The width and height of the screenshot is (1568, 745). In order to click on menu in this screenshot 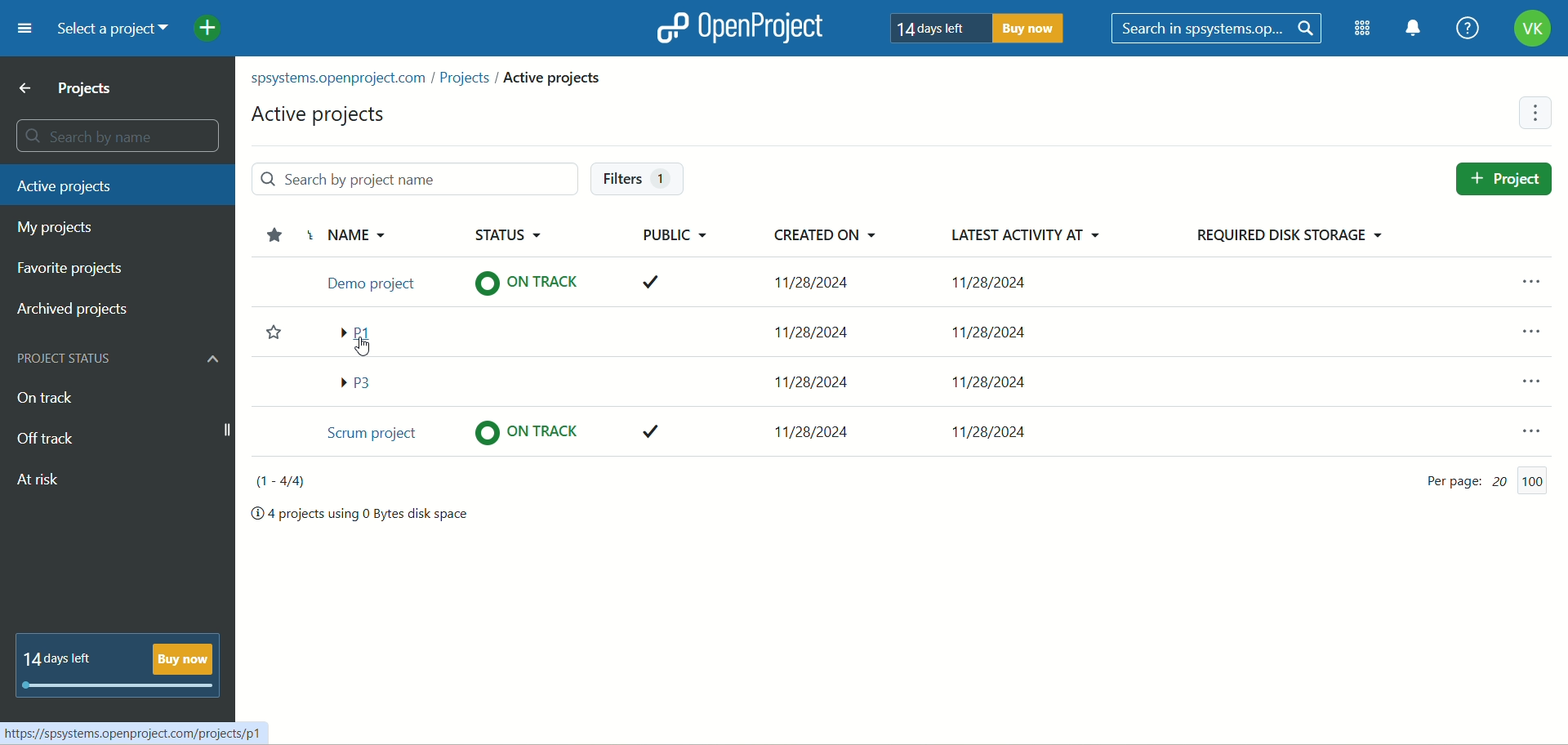, I will do `click(1535, 376)`.